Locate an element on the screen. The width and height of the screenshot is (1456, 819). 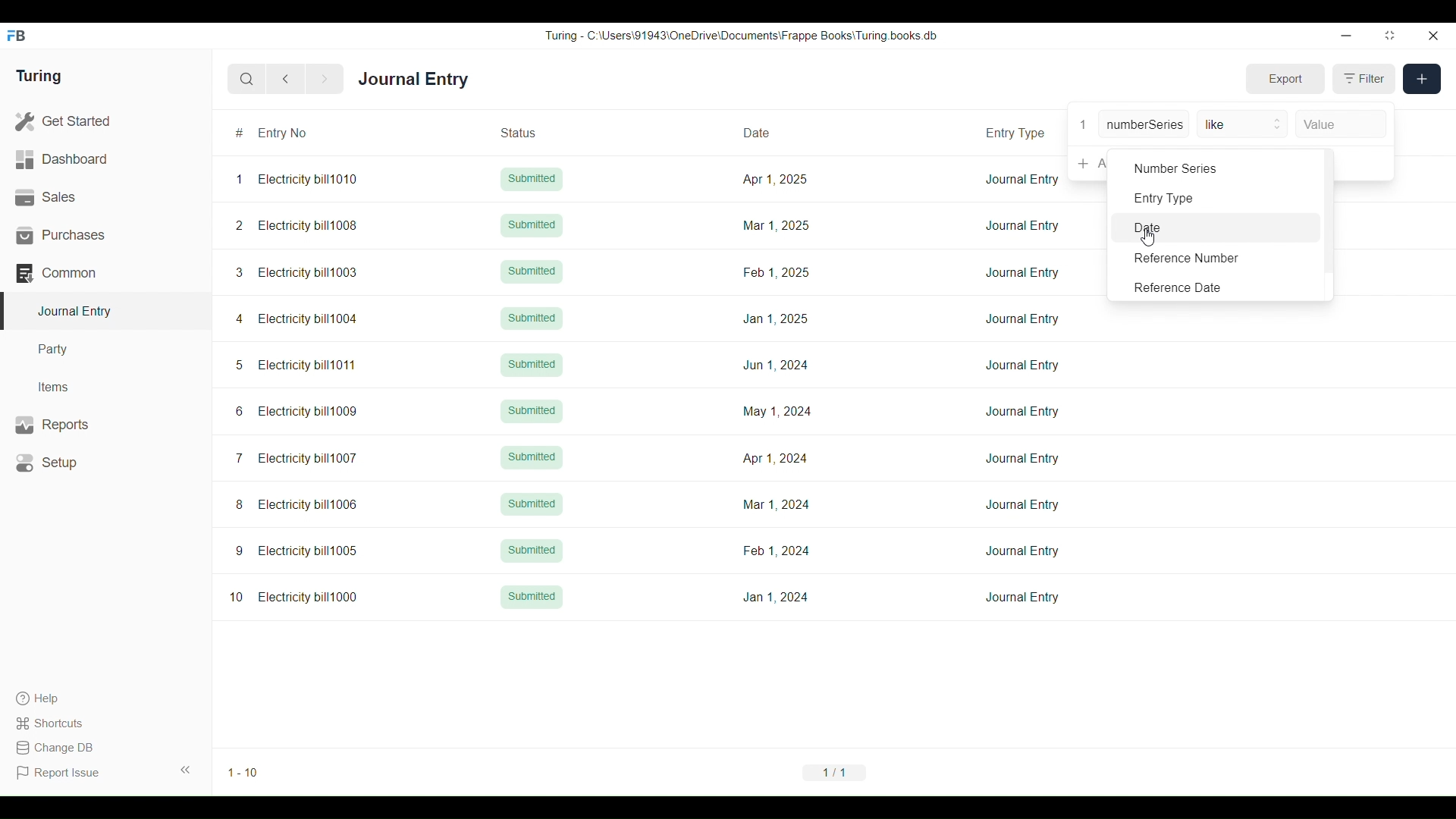
Submitted is located at coordinates (532, 596).